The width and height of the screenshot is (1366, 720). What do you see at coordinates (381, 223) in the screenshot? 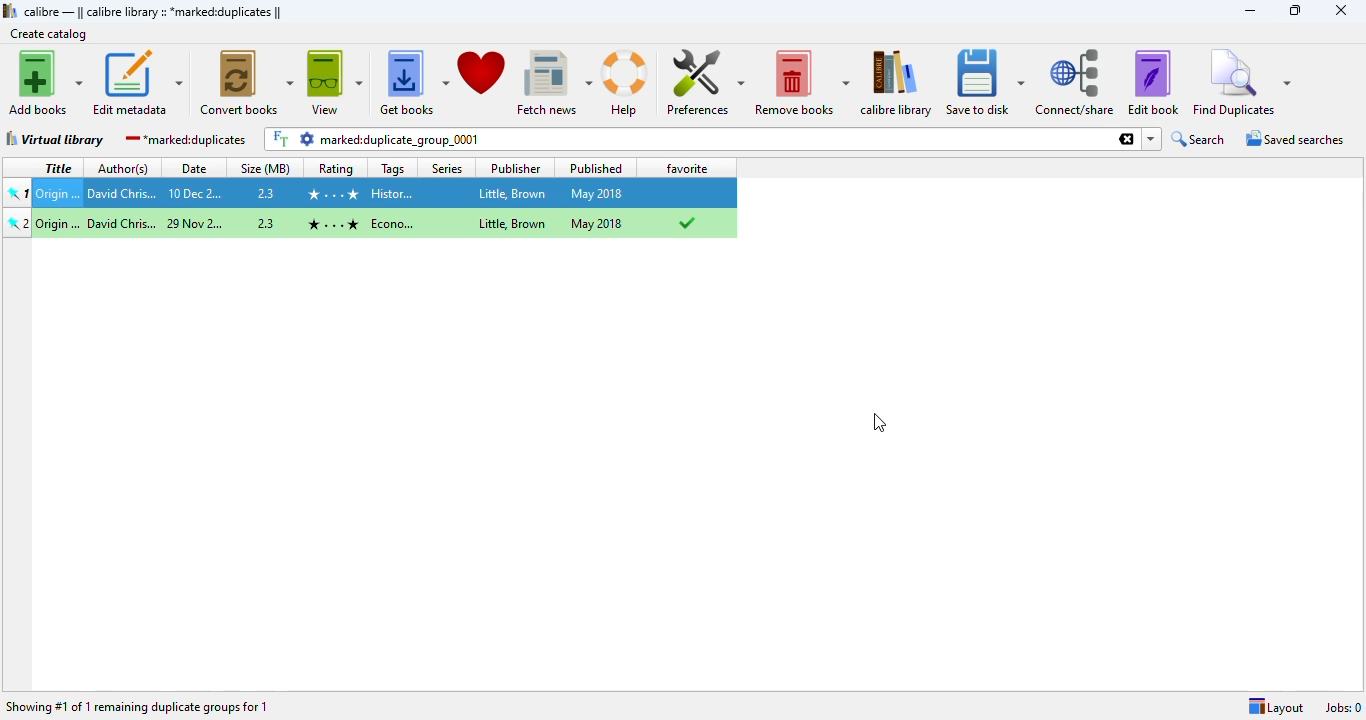
I see `origin...Origin...David Chris...29 Dec 2...2.3 History... Little, Brown May 2018` at bounding box center [381, 223].